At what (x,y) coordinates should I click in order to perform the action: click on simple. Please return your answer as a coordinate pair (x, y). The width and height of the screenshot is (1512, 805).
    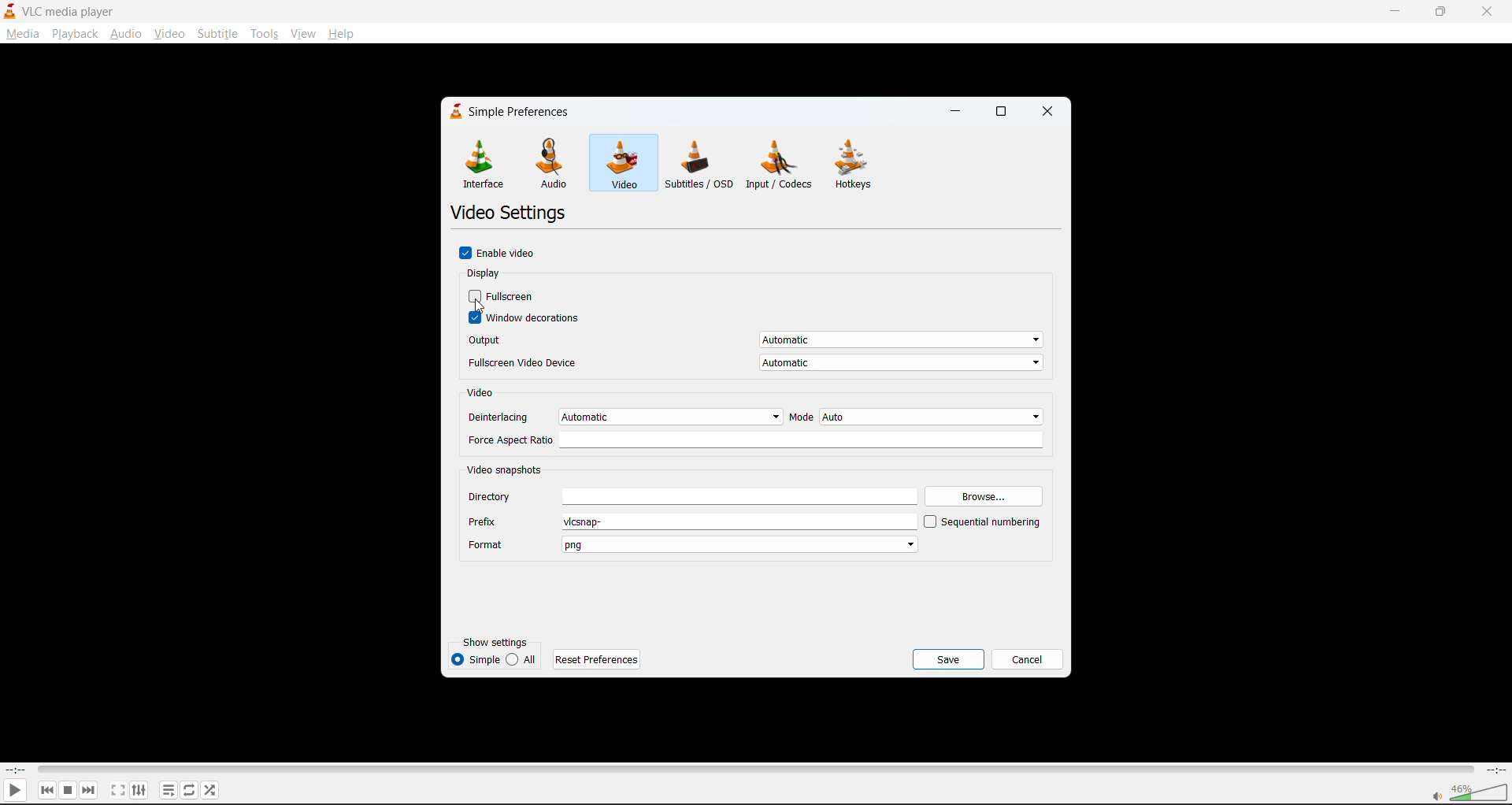
    Looking at the image, I should click on (475, 659).